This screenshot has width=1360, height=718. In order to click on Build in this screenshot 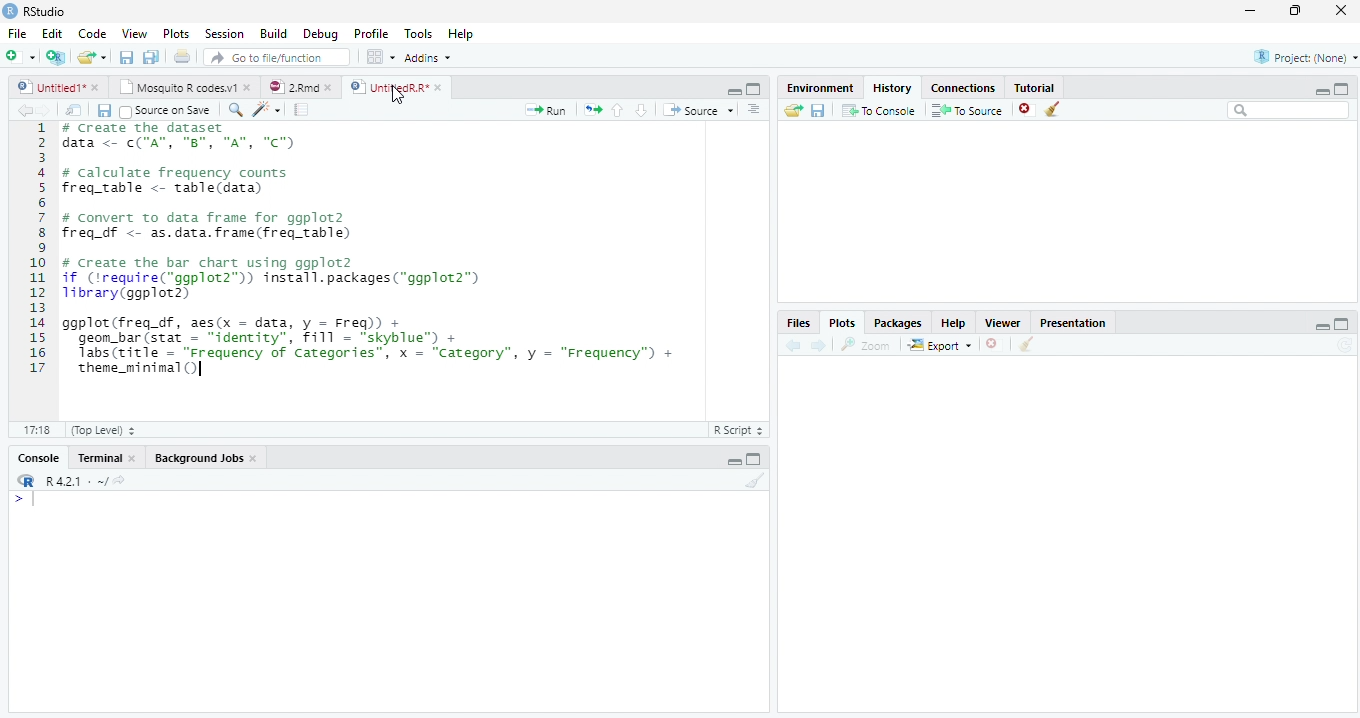, I will do `click(275, 34)`.